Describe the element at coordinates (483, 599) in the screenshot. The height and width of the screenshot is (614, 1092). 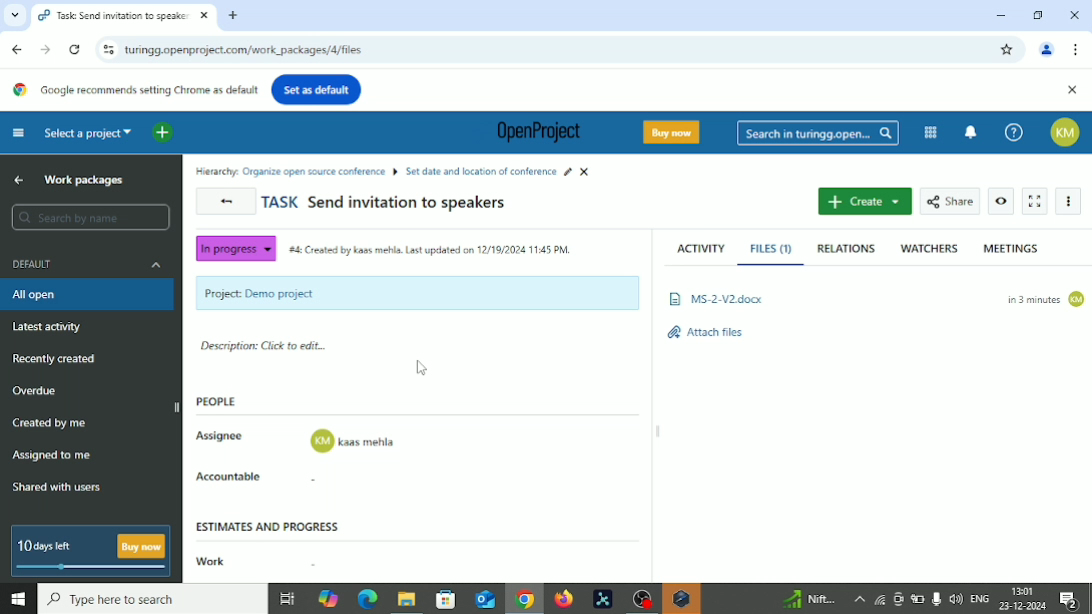
I see `Outlook` at that location.